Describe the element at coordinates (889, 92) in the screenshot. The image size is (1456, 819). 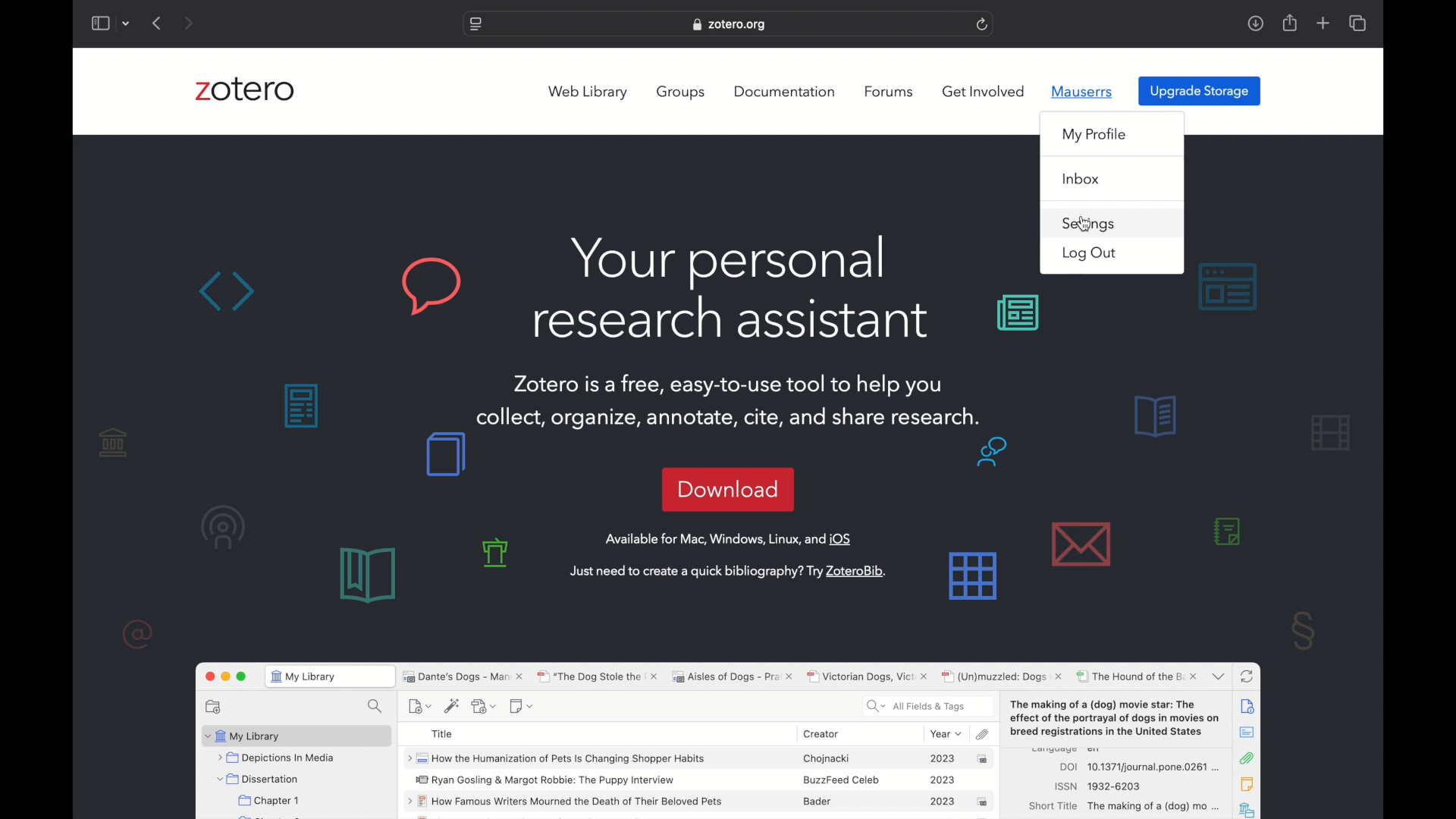
I see `forums` at that location.